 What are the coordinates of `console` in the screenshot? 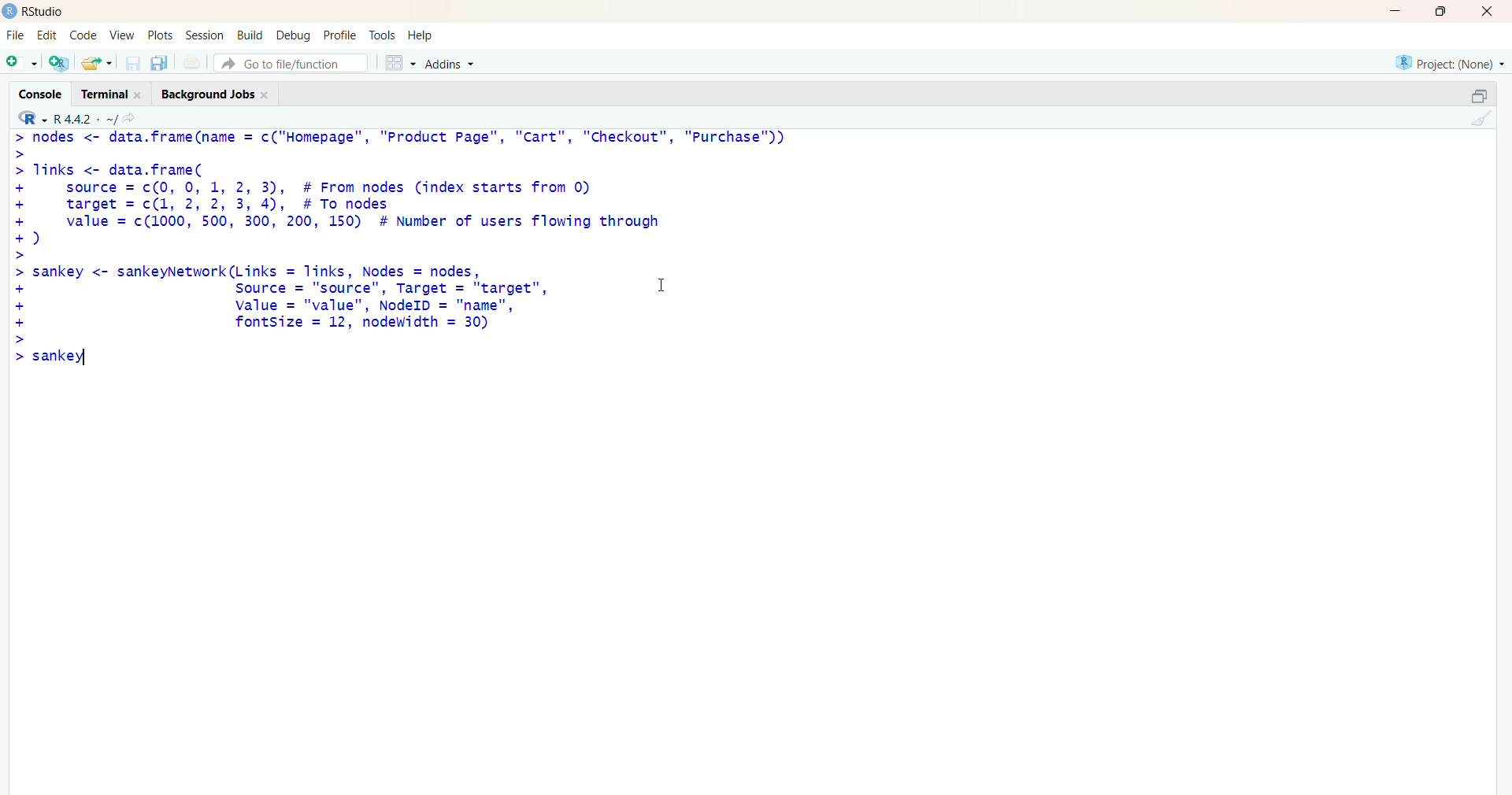 It's located at (34, 90).